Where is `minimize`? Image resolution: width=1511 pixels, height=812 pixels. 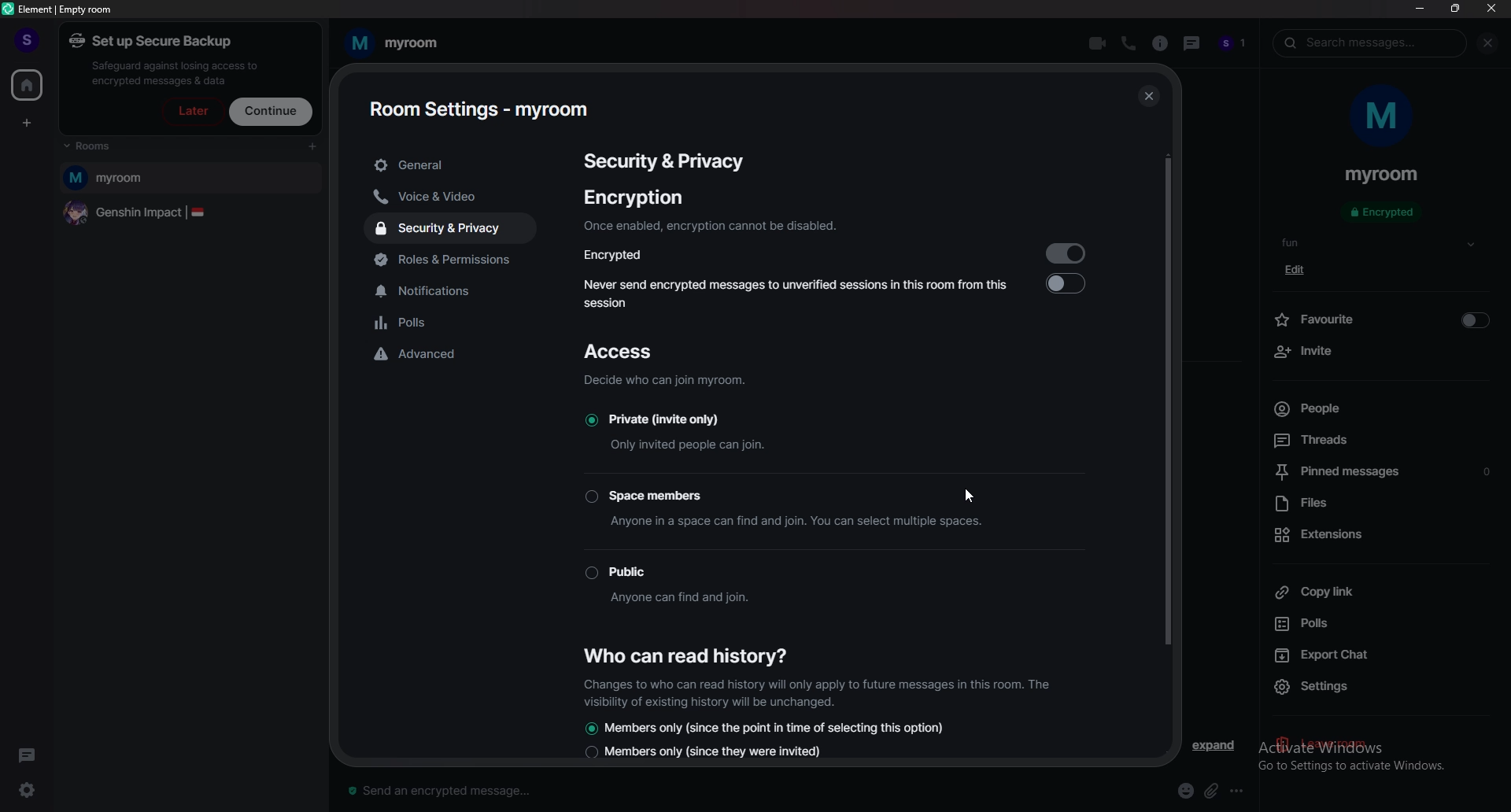
minimize is located at coordinates (1421, 10).